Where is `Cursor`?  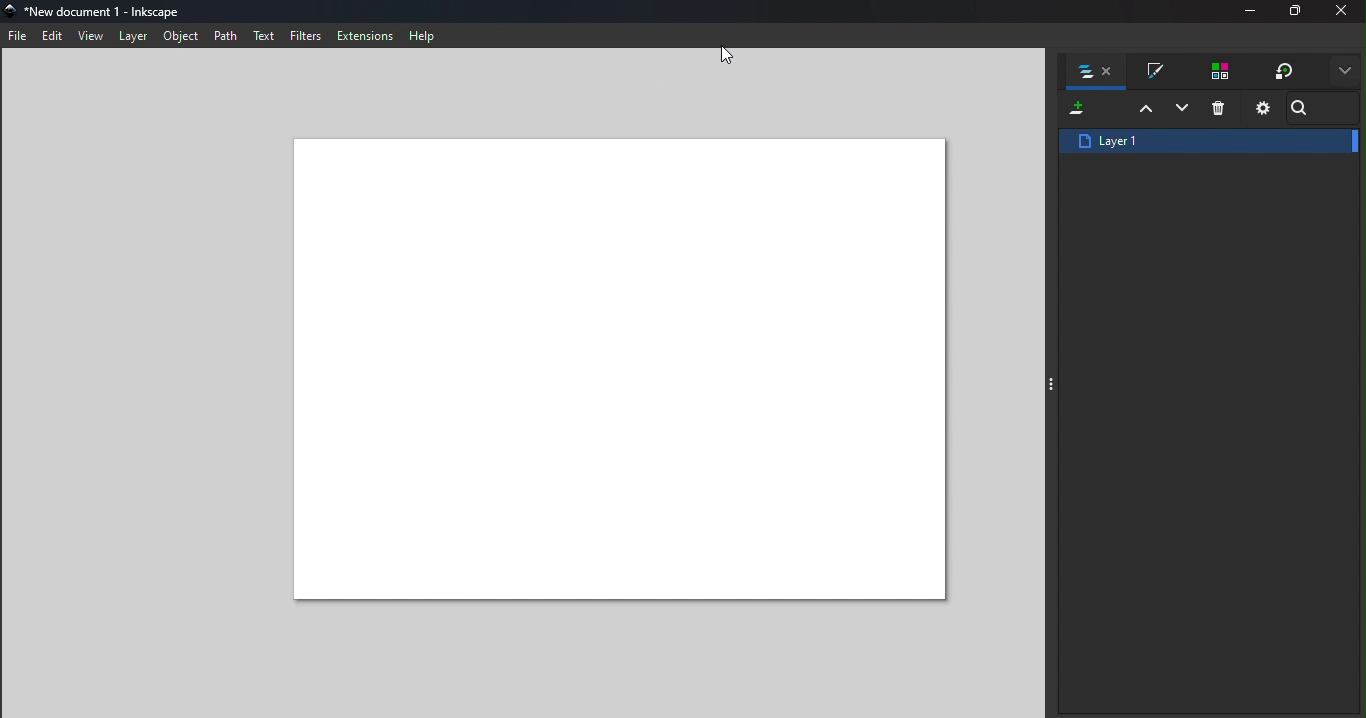 Cursor is located at coordinates (727, 49).